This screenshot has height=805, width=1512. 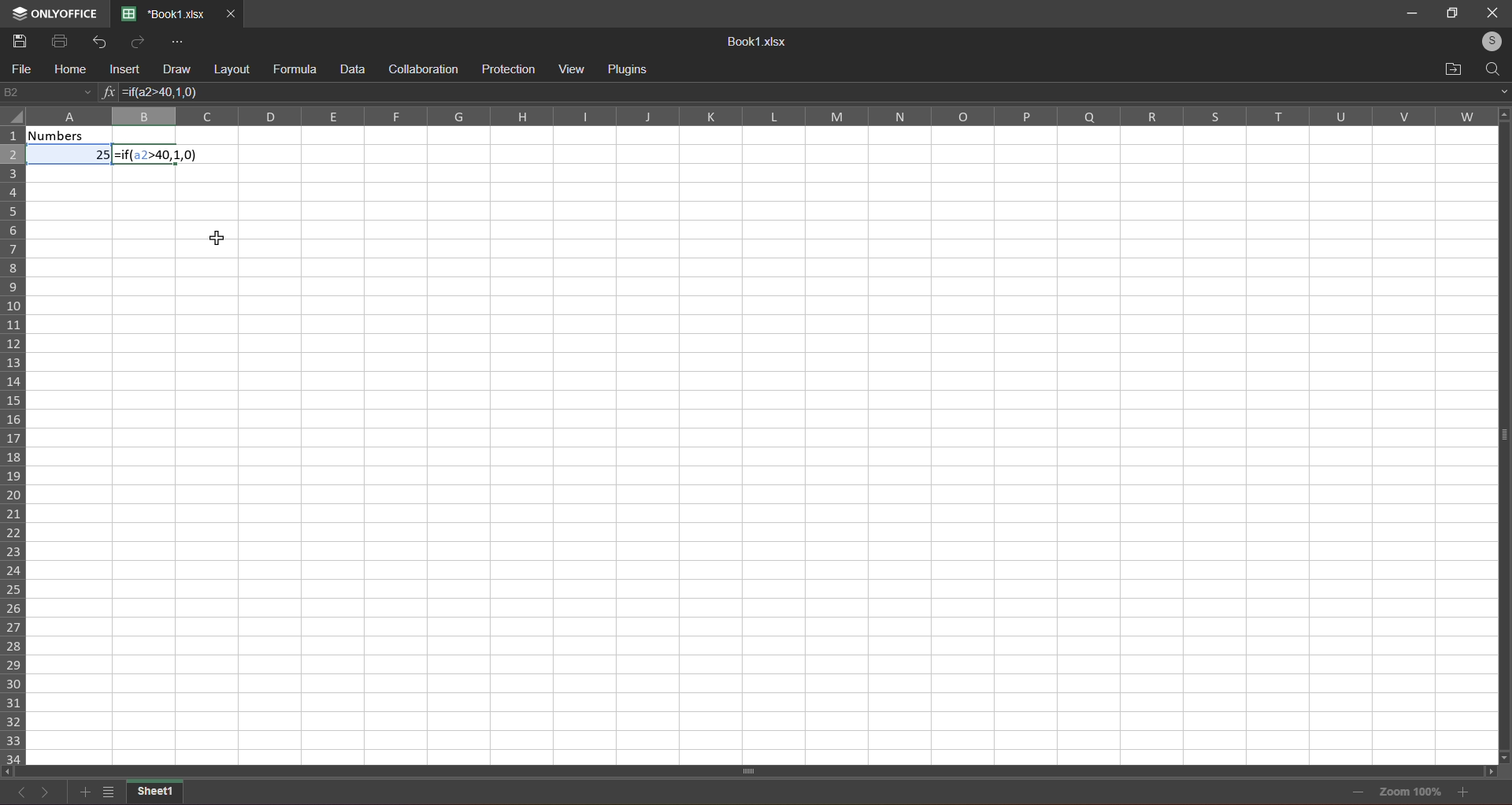 I want to click on Book1.xisx, so click(x=754, y=42).